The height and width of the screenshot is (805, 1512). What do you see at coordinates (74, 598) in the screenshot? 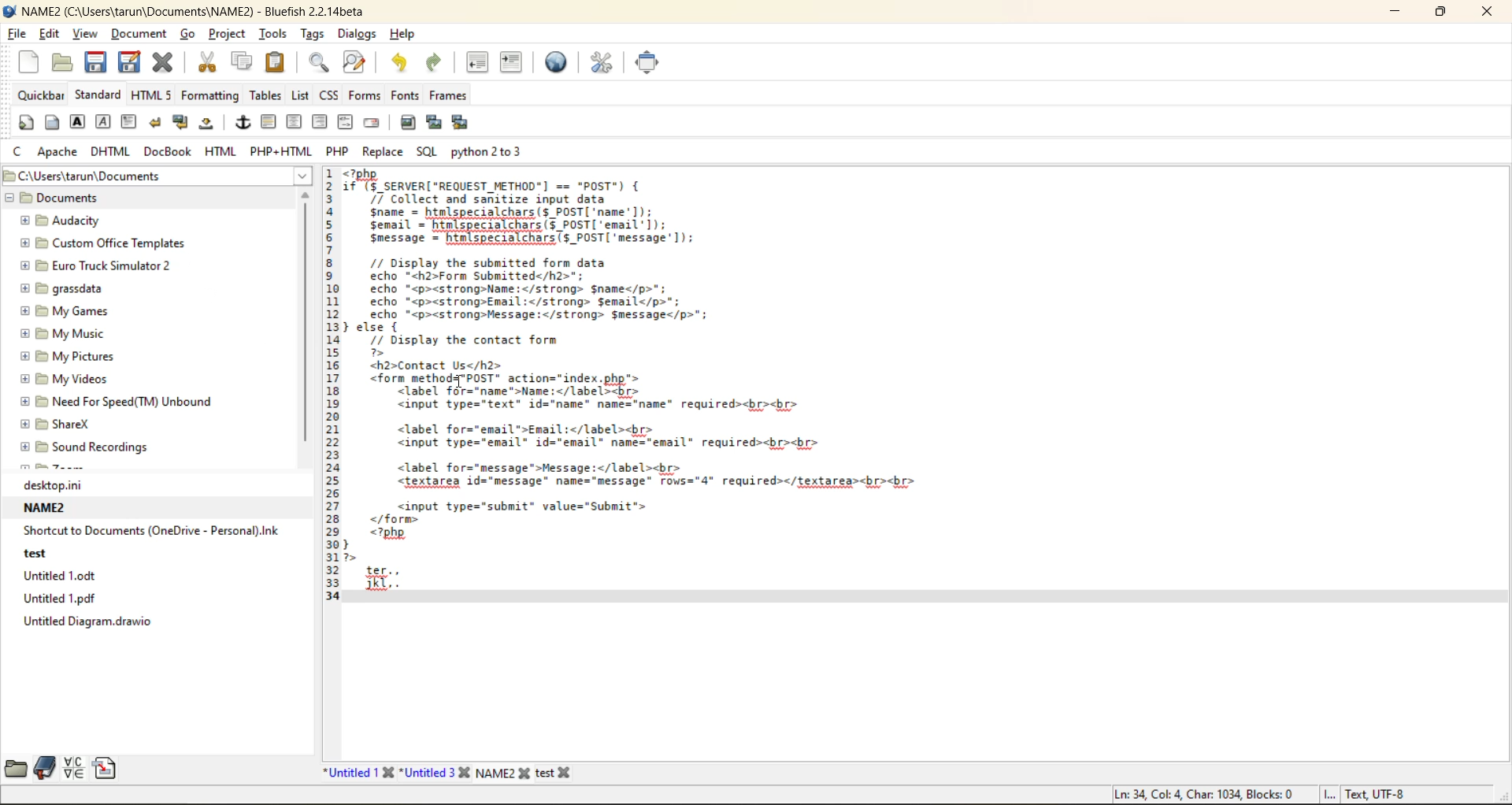
I see `untitled pdf` at bounding box center [74, 598].